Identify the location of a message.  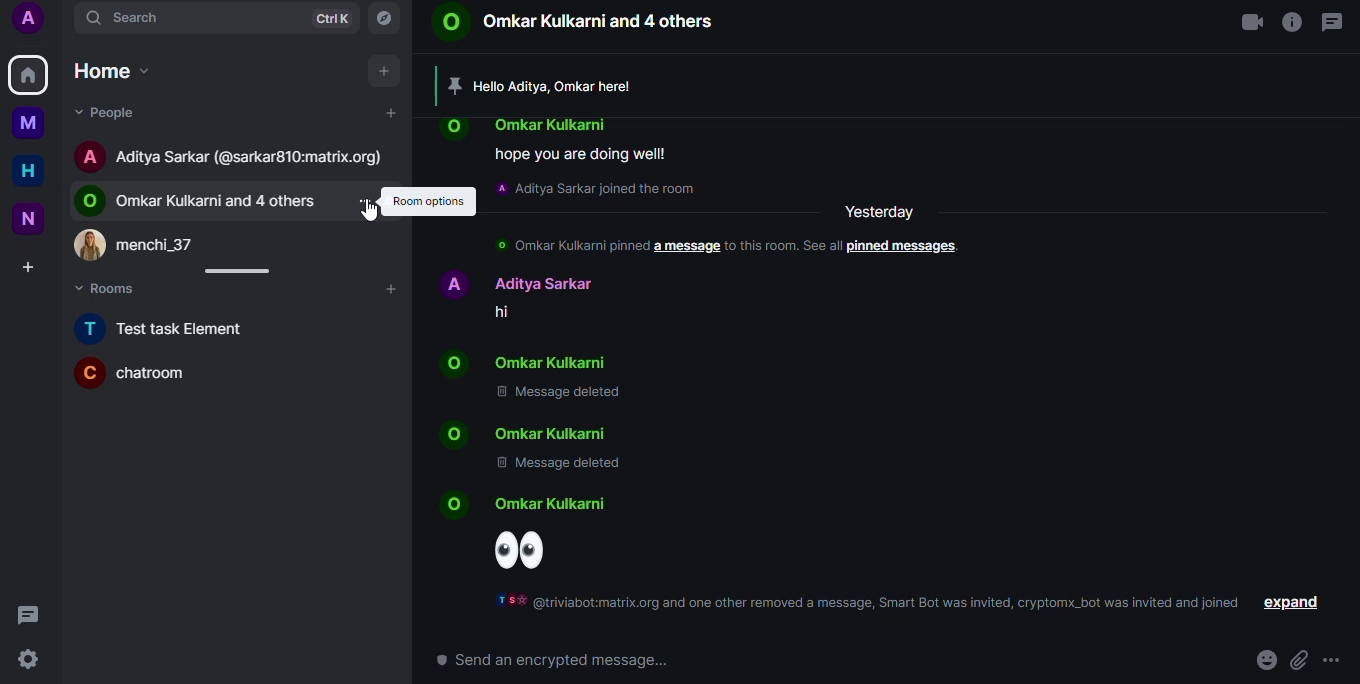
(685, 246).